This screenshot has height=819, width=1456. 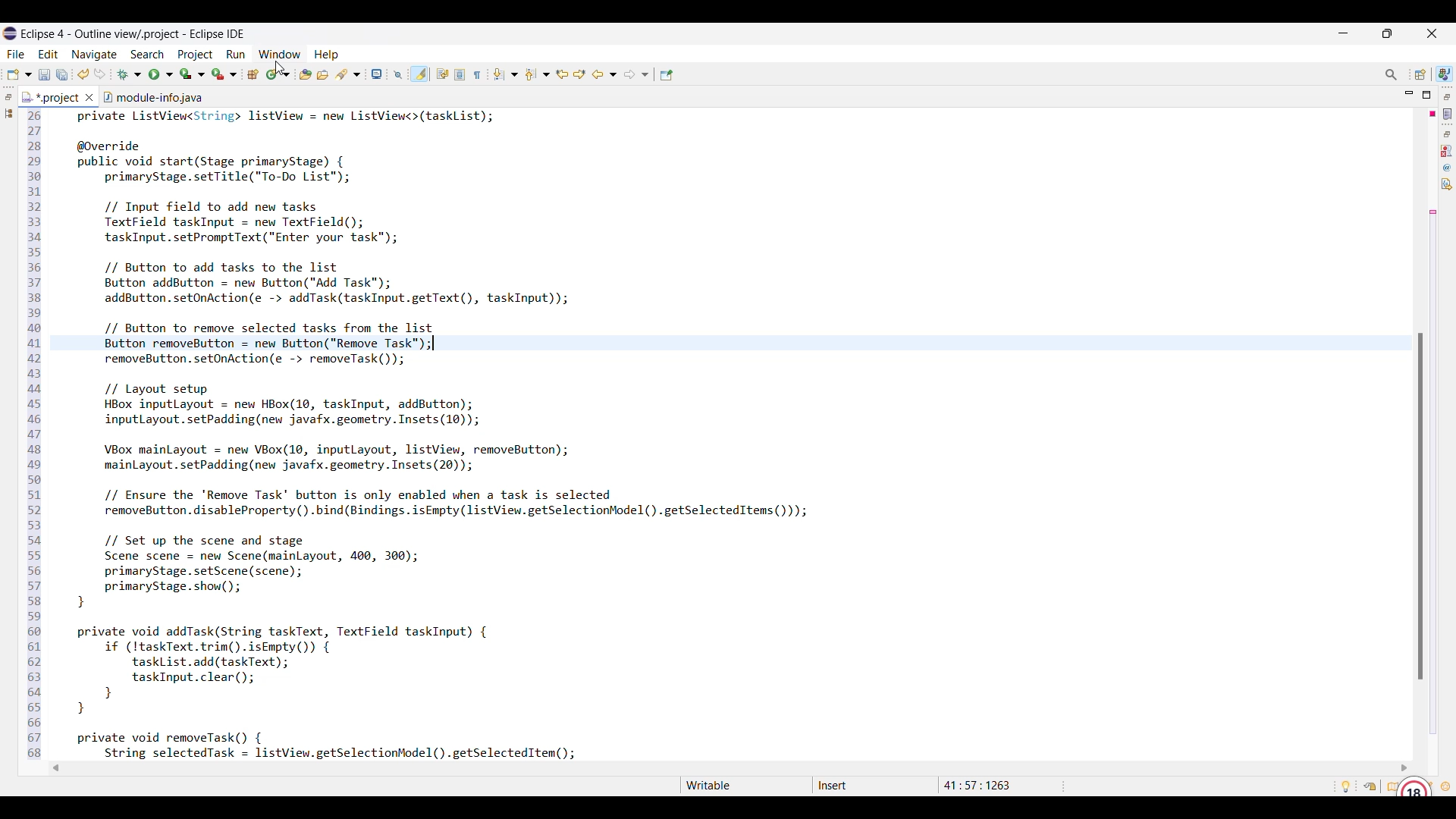 I want to click on Show in smaller tab, so click(x=1387, y=33).